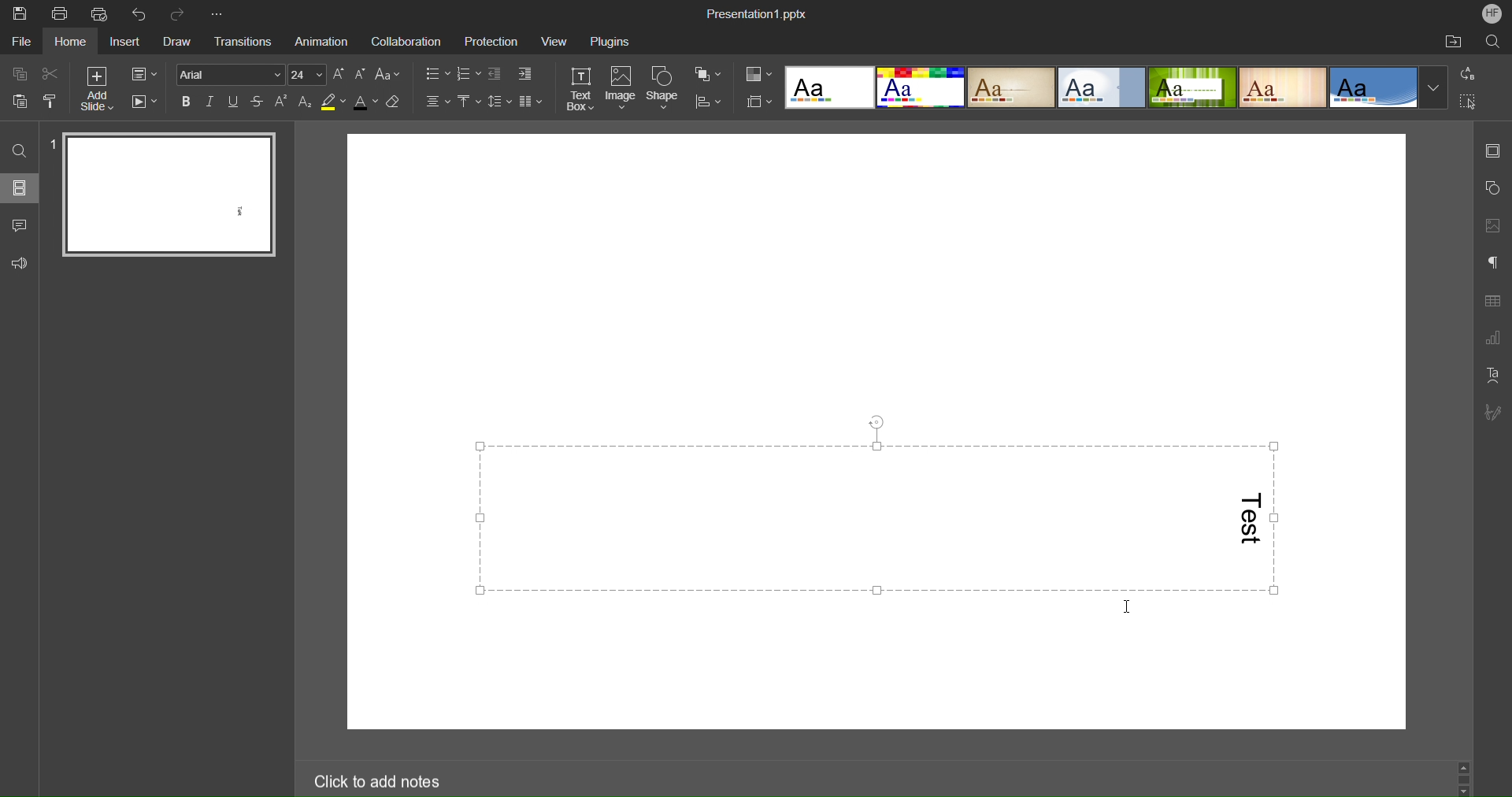 Image resolution: width=1512 pixels, height=797 pixels. I want to click on Graph Settings, so click(1493, 339).